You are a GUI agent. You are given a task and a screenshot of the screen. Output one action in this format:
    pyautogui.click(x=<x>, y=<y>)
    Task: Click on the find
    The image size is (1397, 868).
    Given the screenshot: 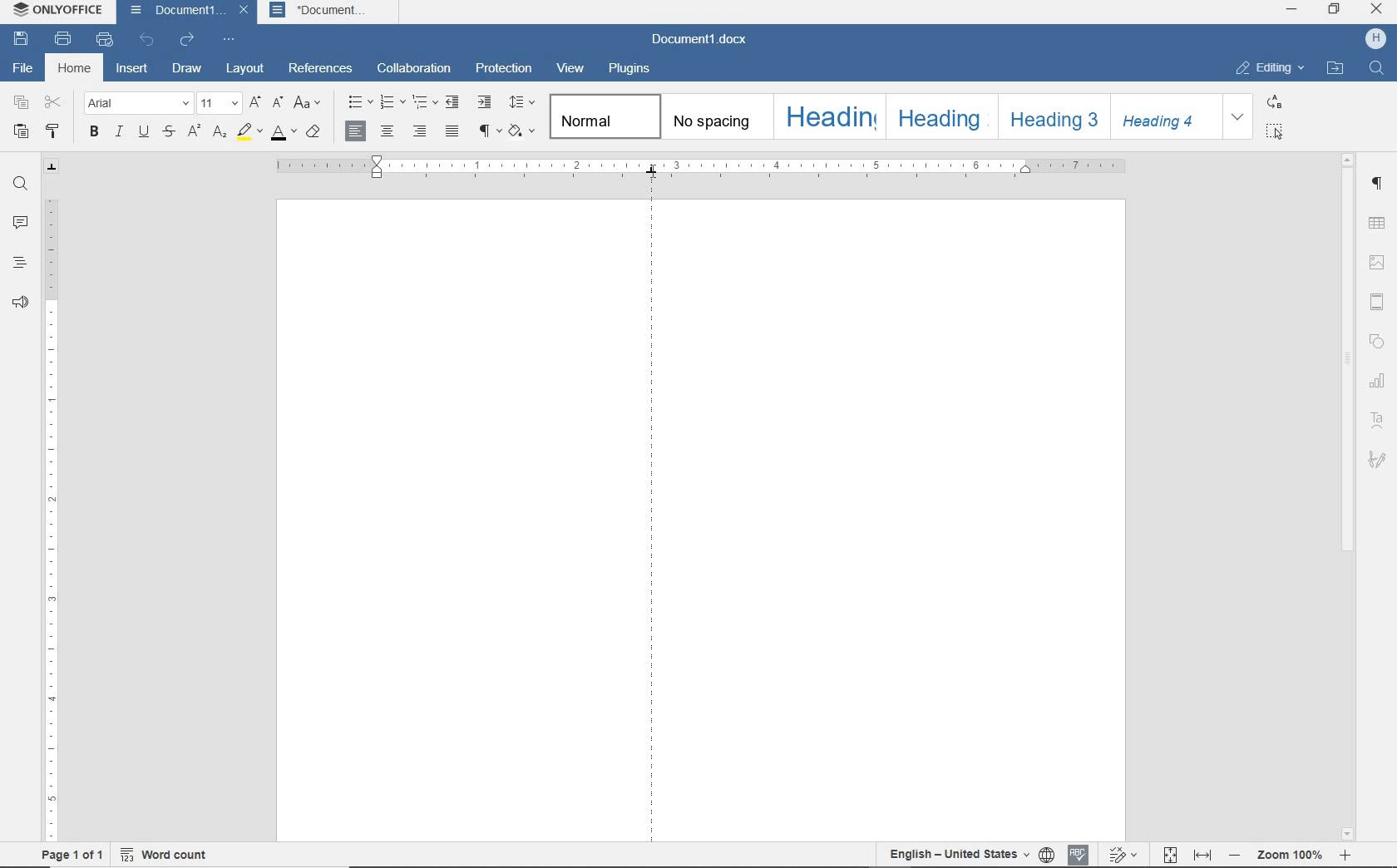 What is the action you would take?
    pyautogui.click(x=1379, y=70)
    